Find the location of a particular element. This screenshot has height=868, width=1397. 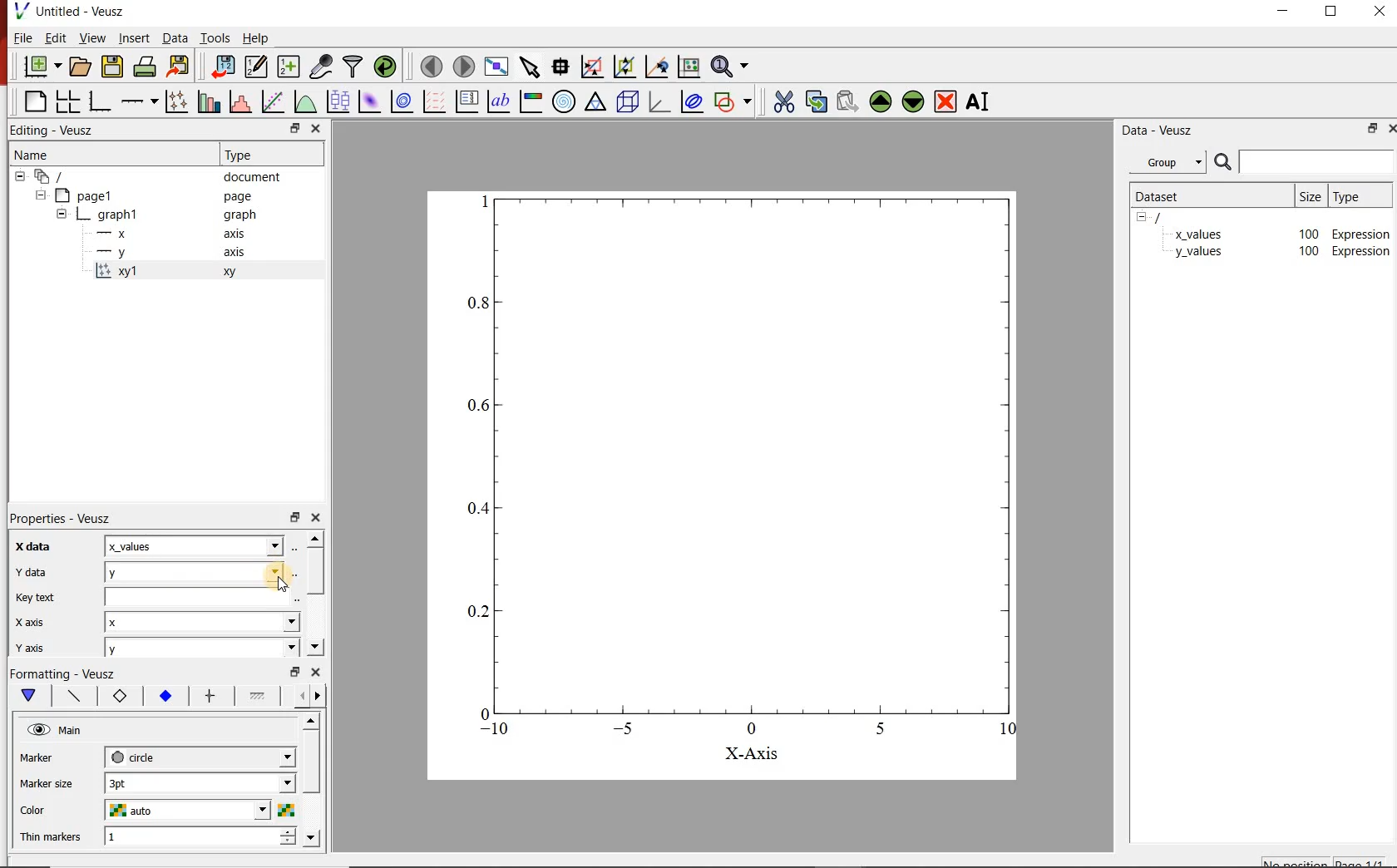

x='x', y='y', marker='circle' is located at coordinates (116, 273).